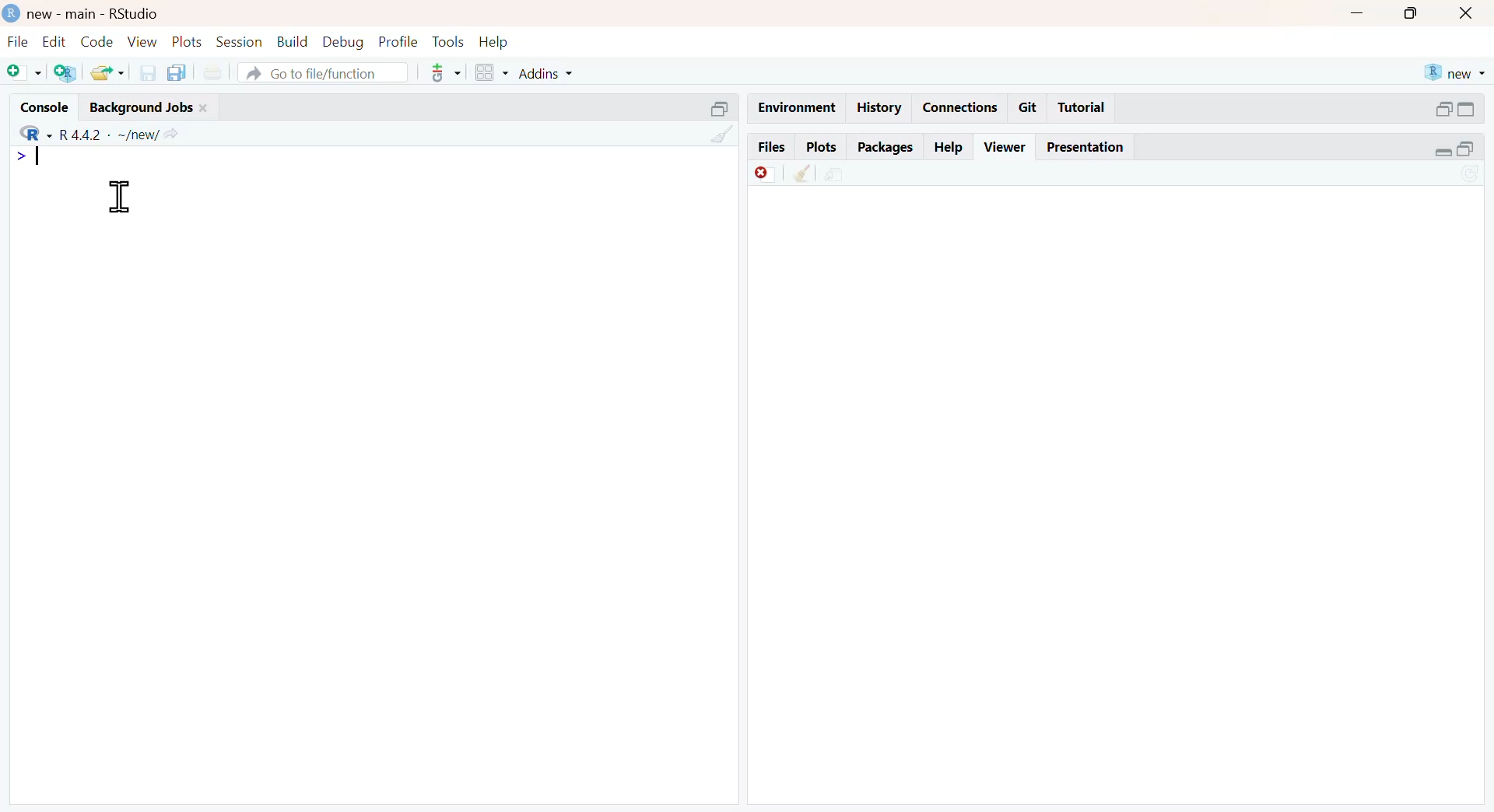 The image size is (1494, 812). Describe the element at coordinates (1360, 12) in the screenshot. I see `Minimise ` at that location.